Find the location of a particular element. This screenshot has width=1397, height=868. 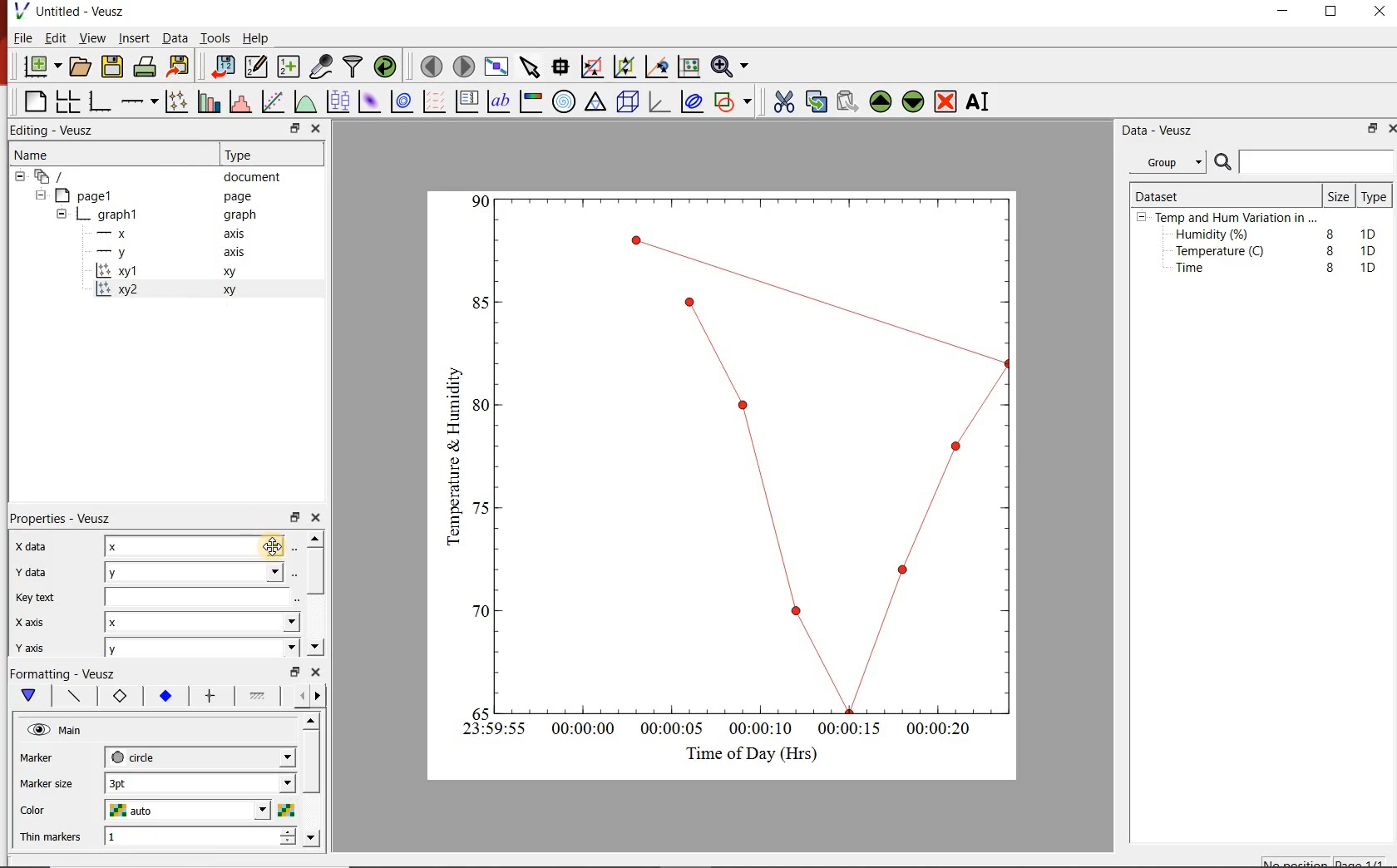

visible (click to hide, set Hide to true) is located at coordinates (37, 731).